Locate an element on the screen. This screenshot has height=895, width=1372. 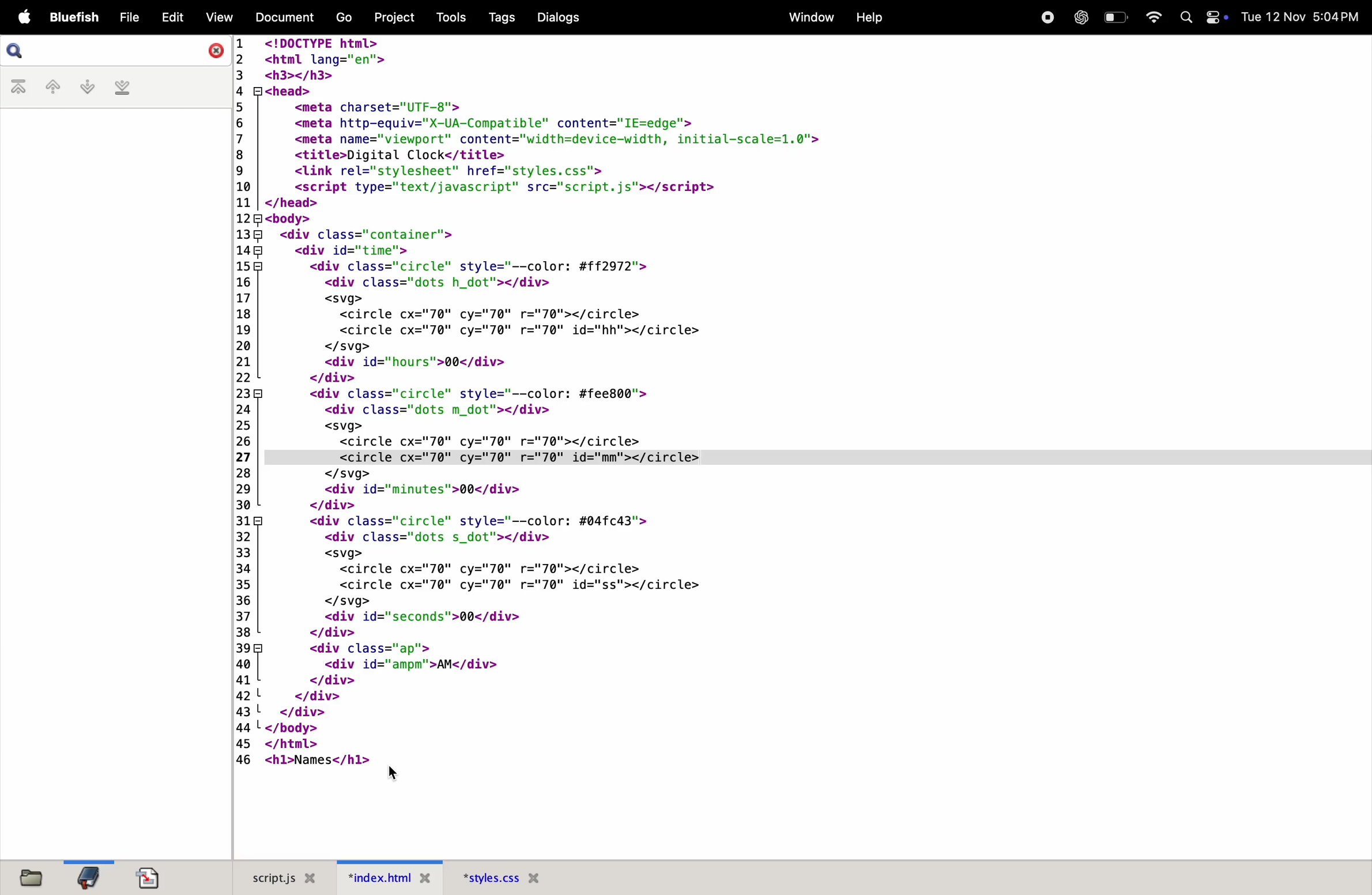
tools is located at coordinates (454, 18).